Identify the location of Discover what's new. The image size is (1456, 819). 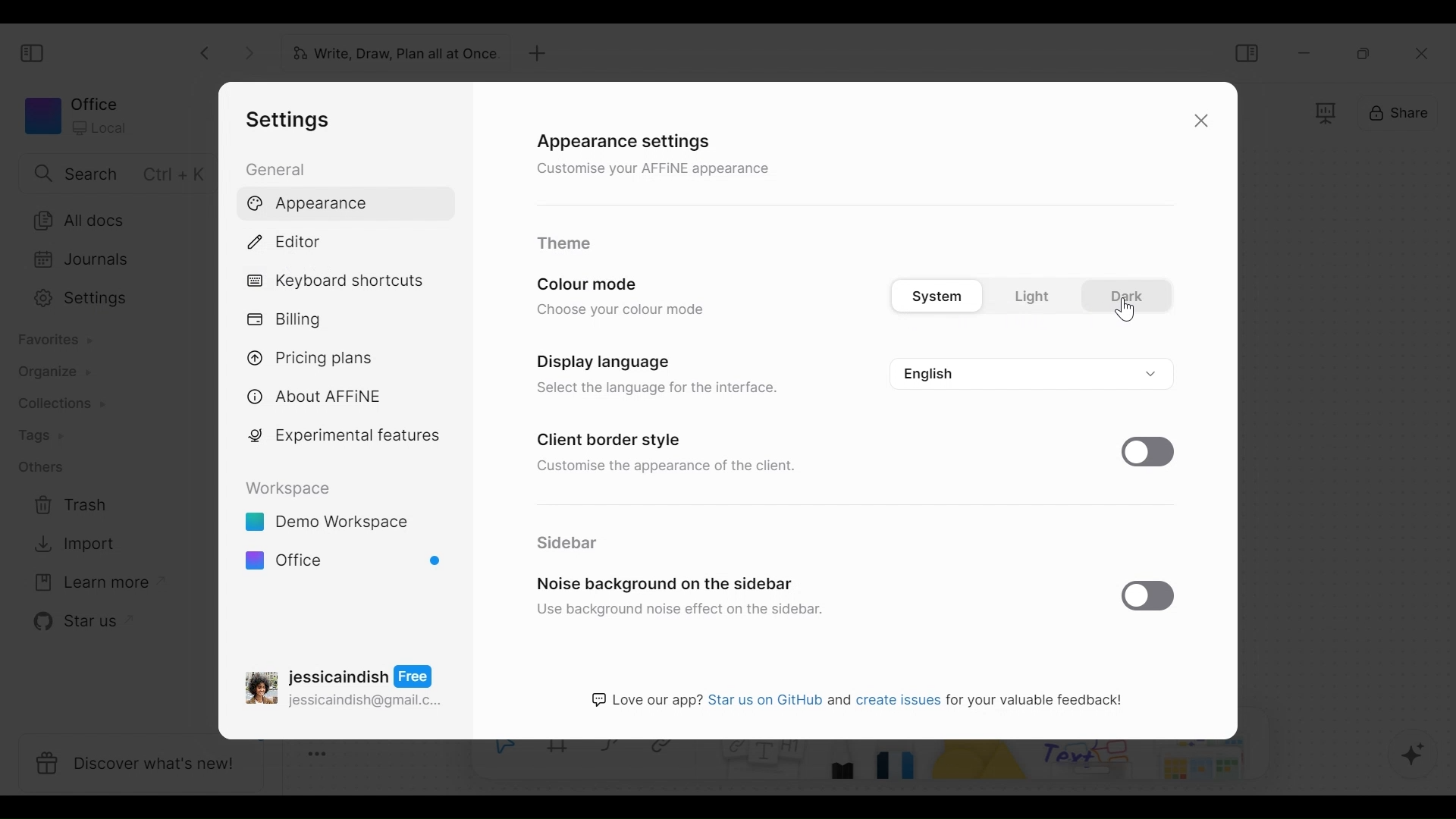
(134, 762).